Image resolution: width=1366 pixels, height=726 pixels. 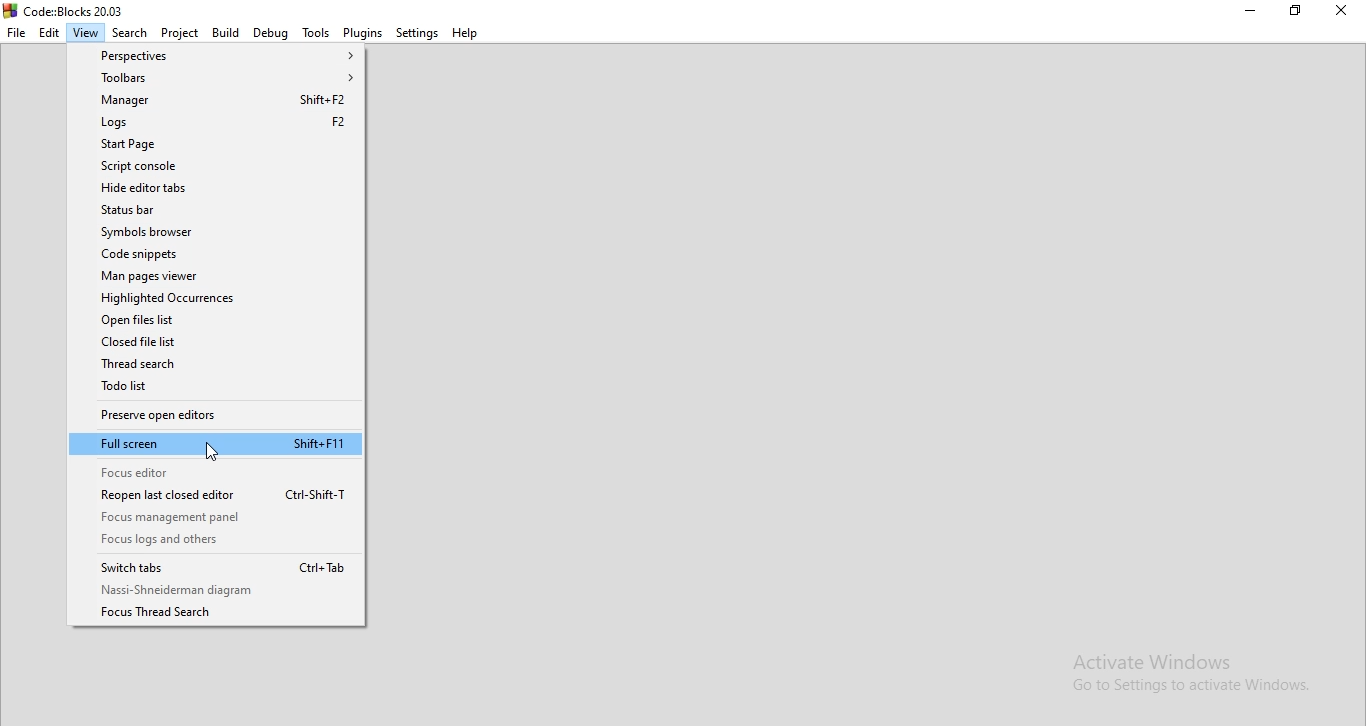 What do you see at coordinates (215, 453) in the screenshot?
I see `Cursor` at bounding box center [215, 453].